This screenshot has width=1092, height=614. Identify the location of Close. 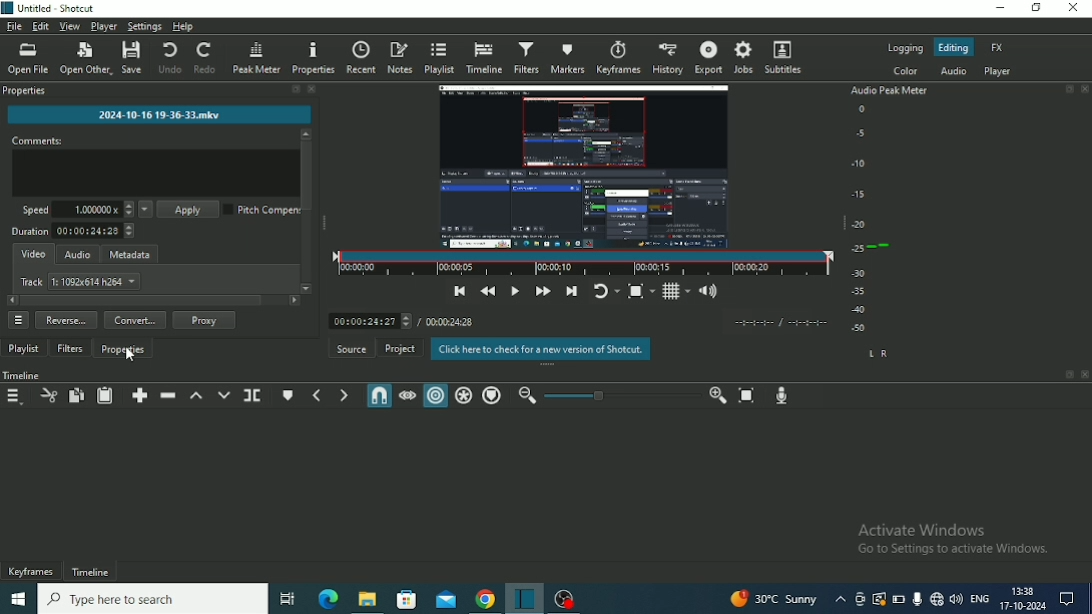
(1085, 89).